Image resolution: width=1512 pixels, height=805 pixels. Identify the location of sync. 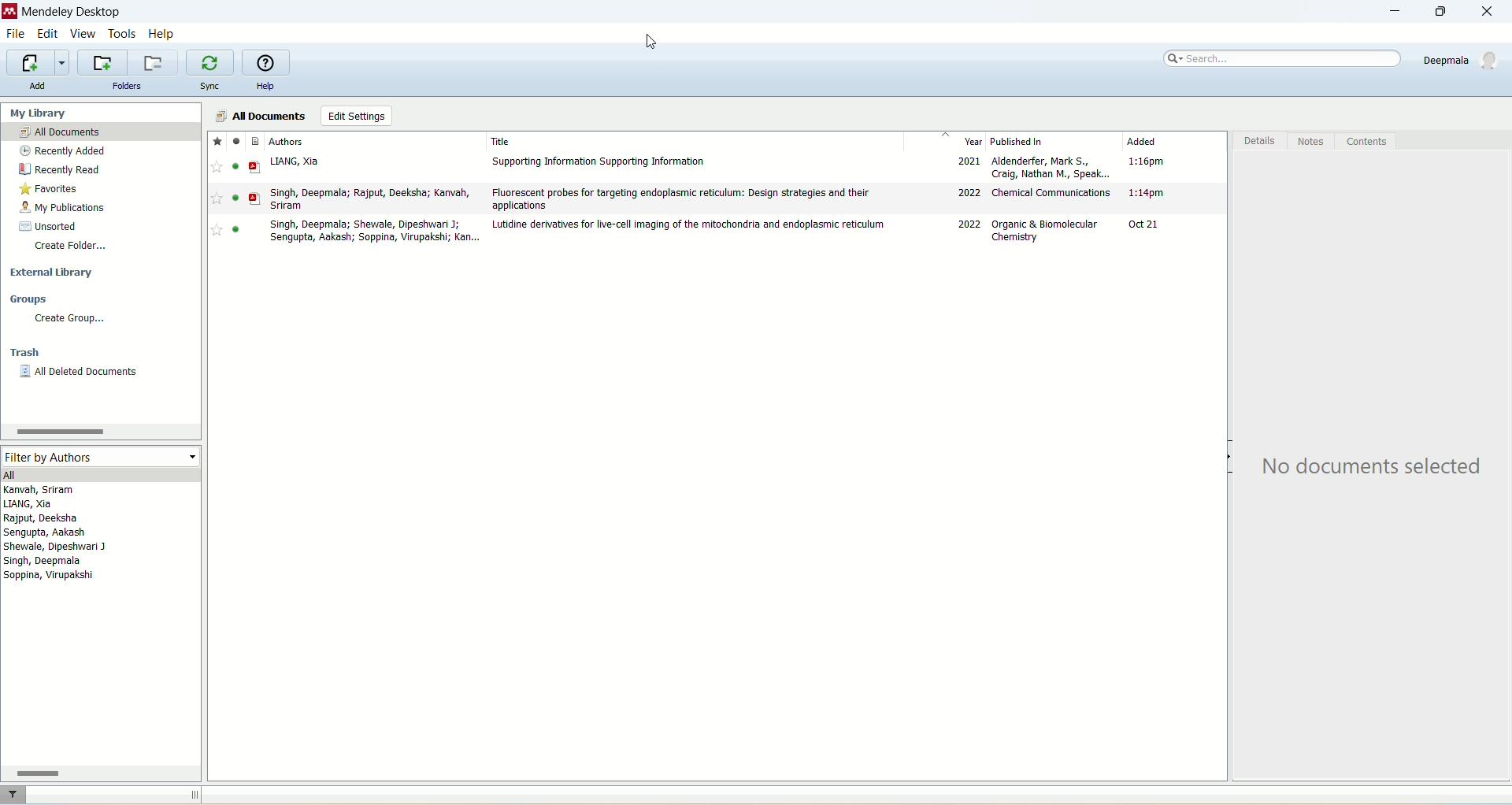
(209, 88).